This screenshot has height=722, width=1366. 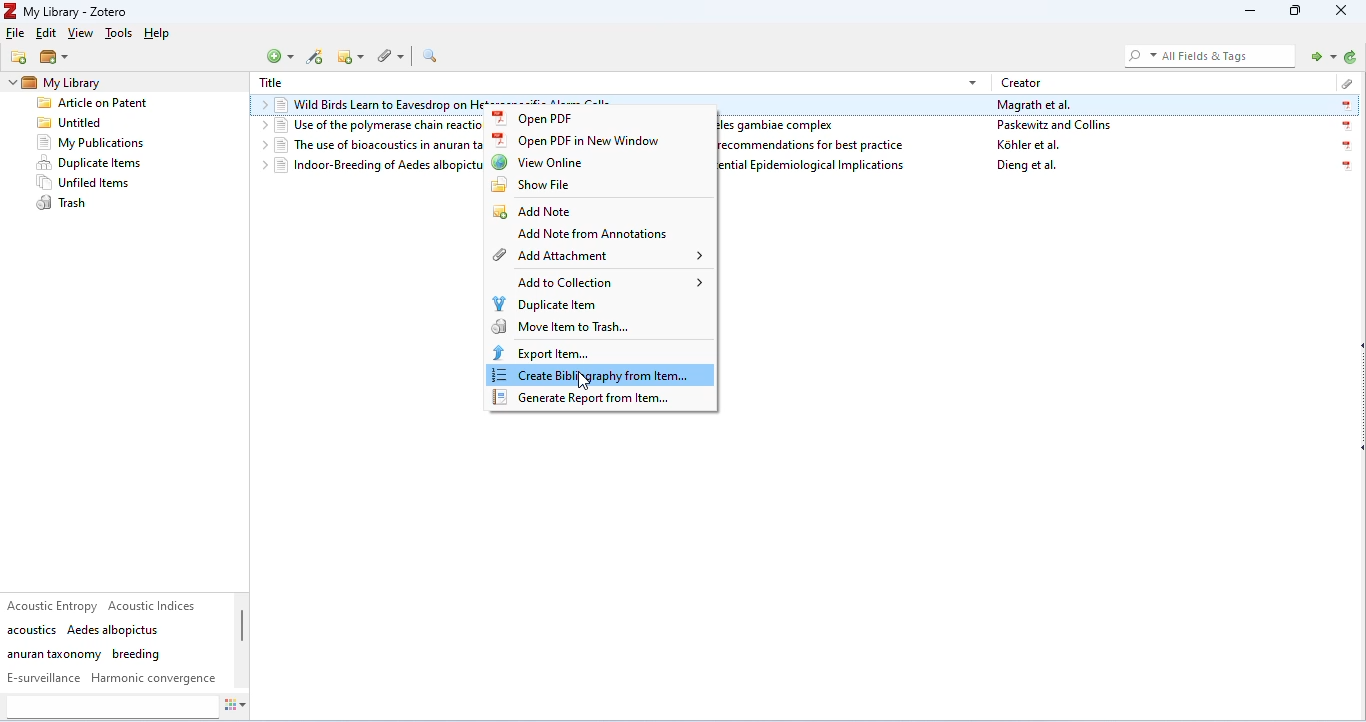 What do you see at coordinates (260, 144) in the screenshot?
I see `drop down` at bounding box center [260, 144].